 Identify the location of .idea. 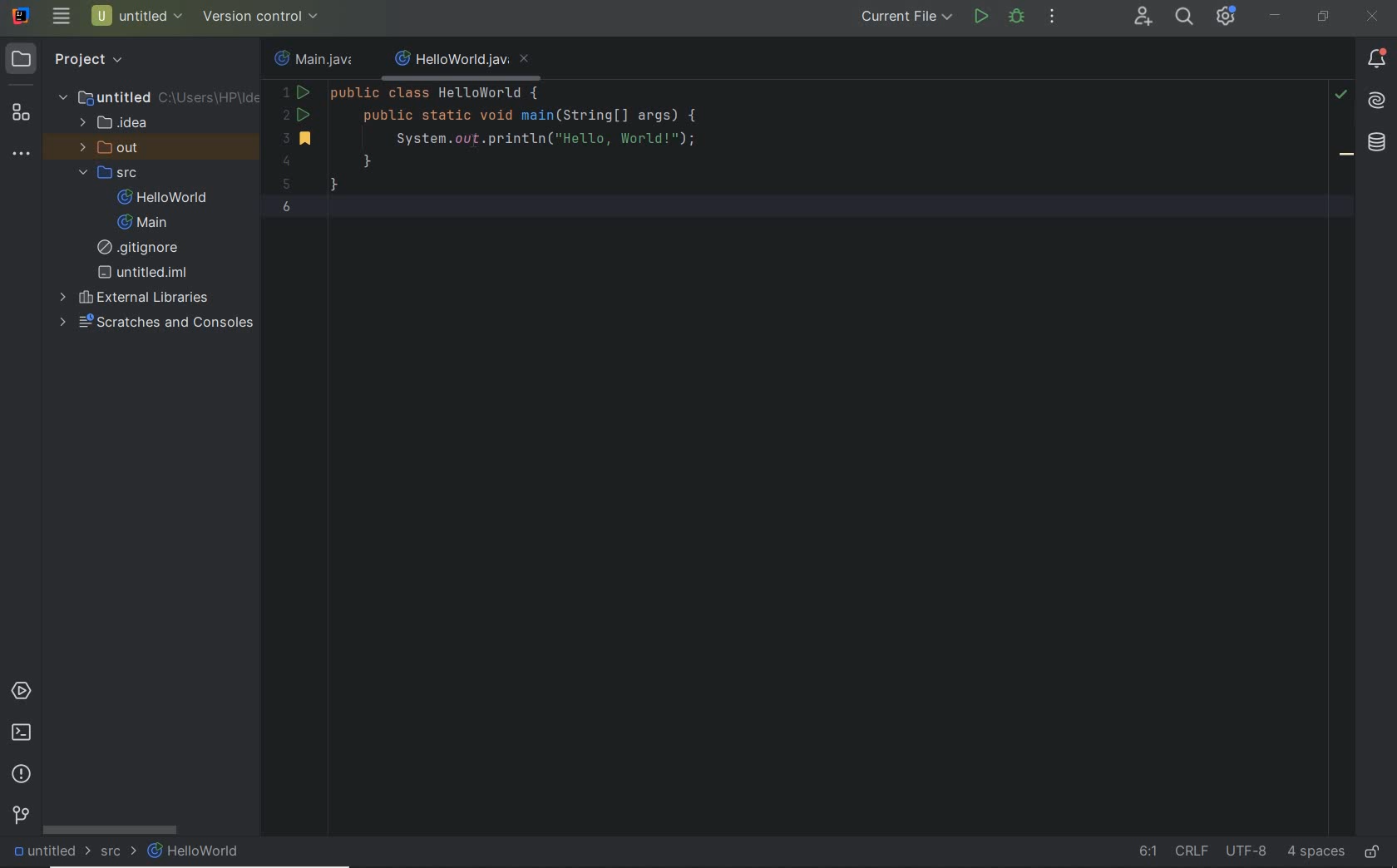
(115, 123).